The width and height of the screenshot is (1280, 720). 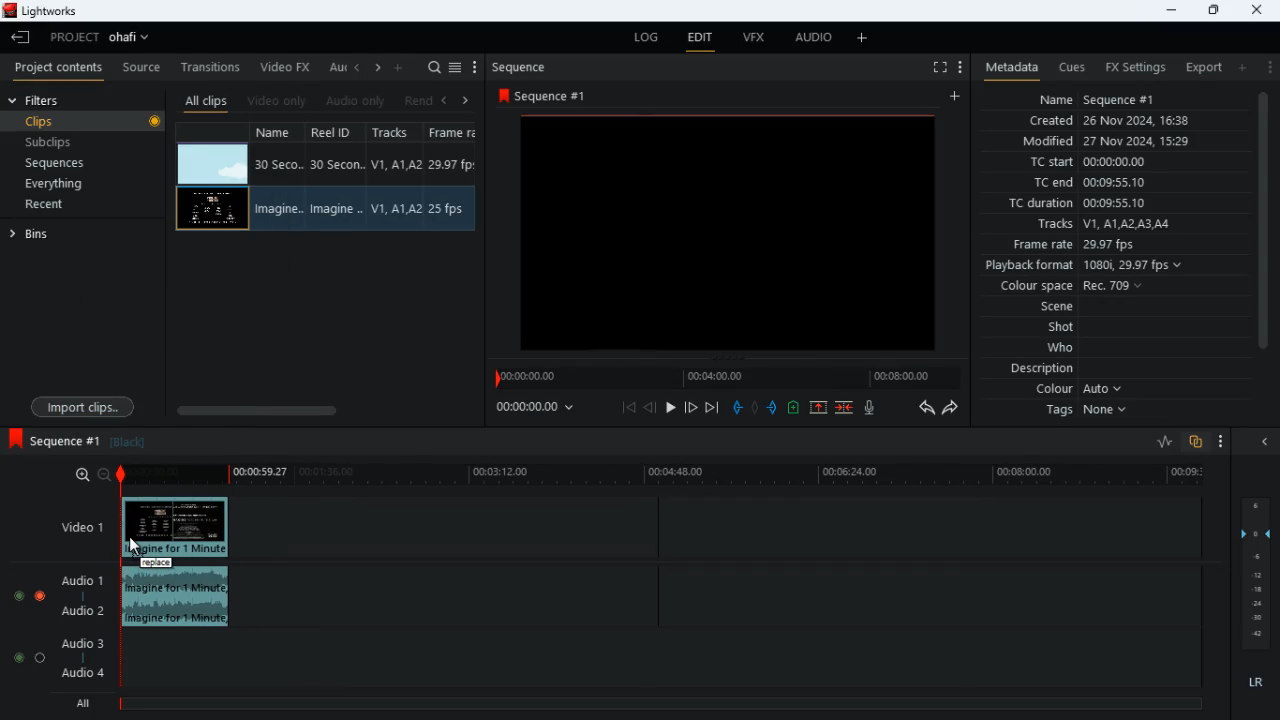 What do you see at coordinates (206, 101) in the screenshot?
I see `all clips` at bounding box center [206, 101].